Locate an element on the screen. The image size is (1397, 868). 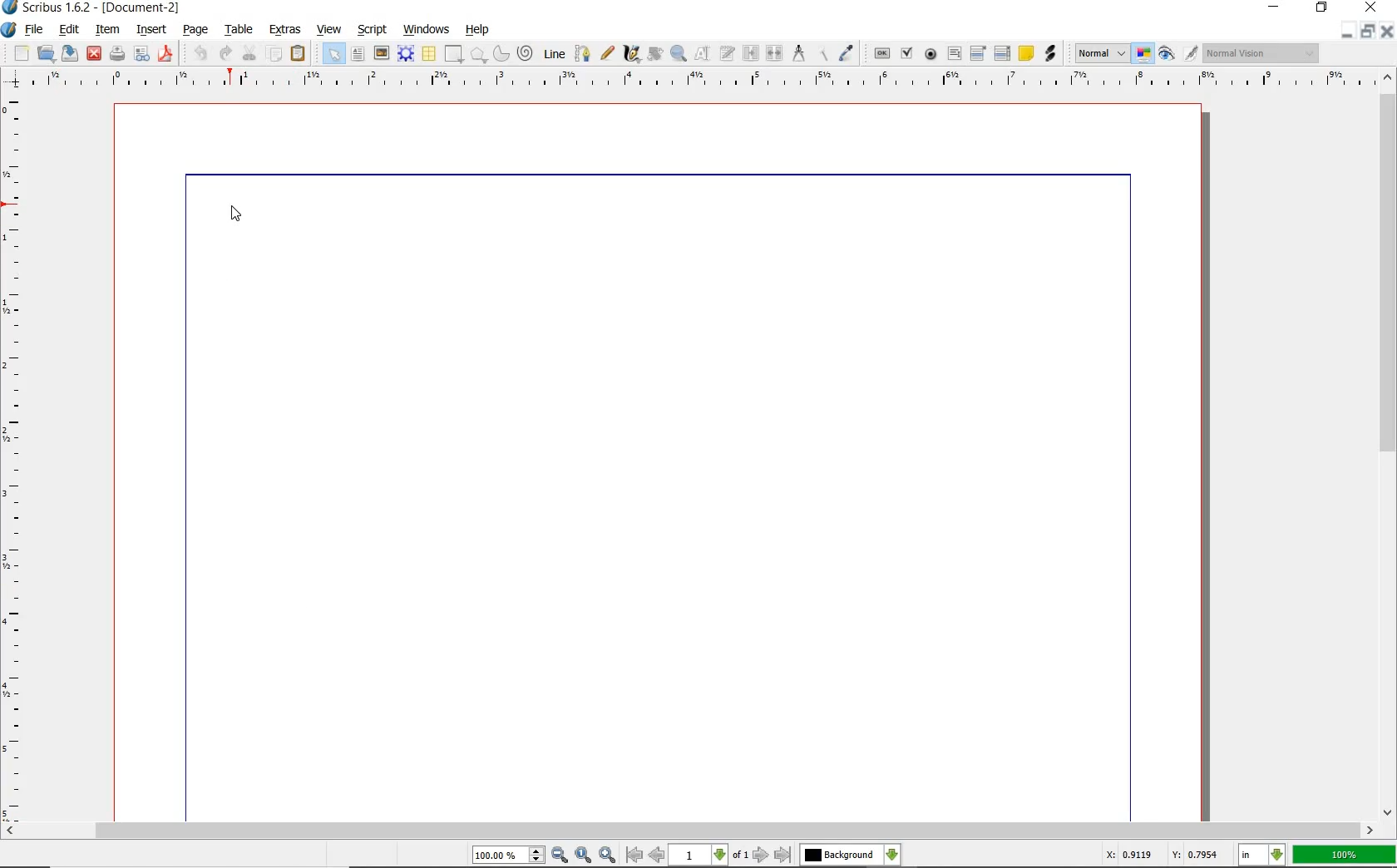
file is located at coordinates (36, 31).